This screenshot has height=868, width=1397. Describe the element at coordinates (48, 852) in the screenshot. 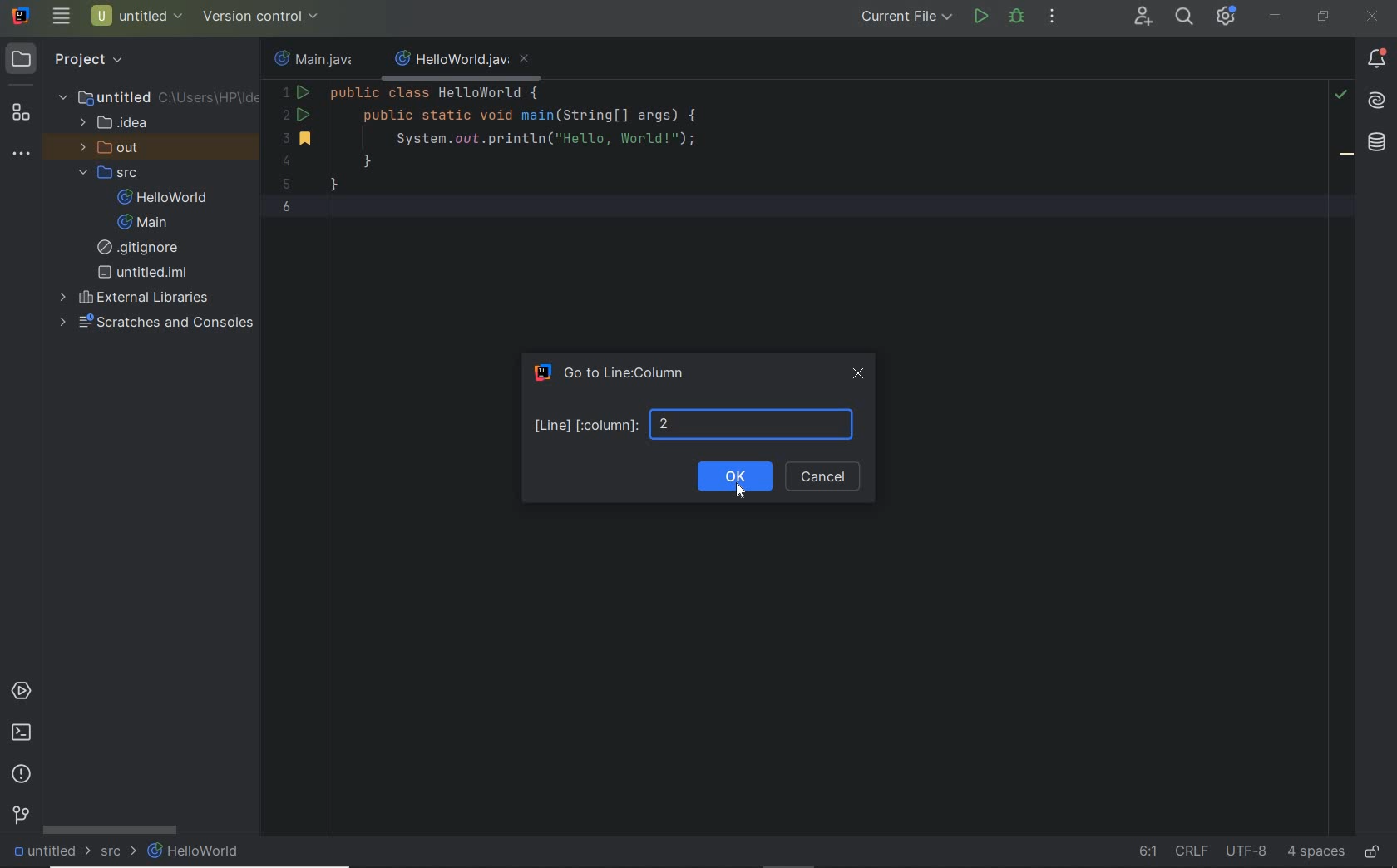

I see `untitled` at that location.